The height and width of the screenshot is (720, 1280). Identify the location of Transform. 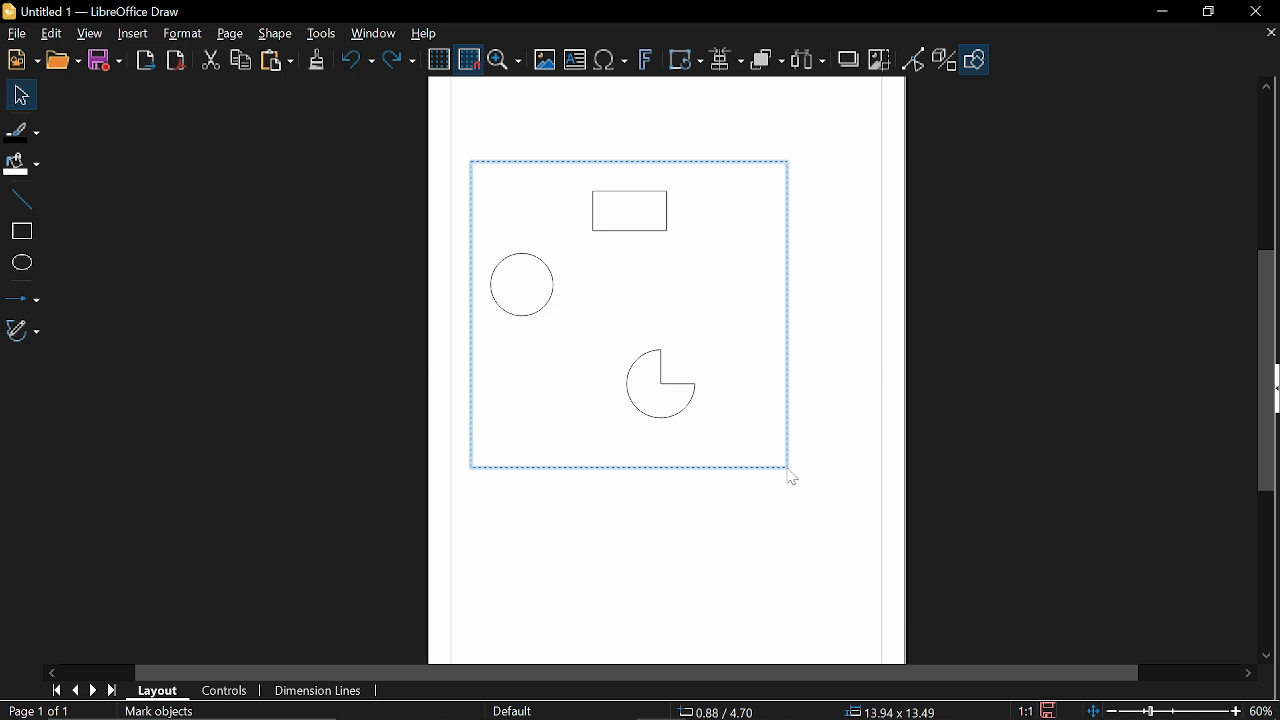
(686, 60).